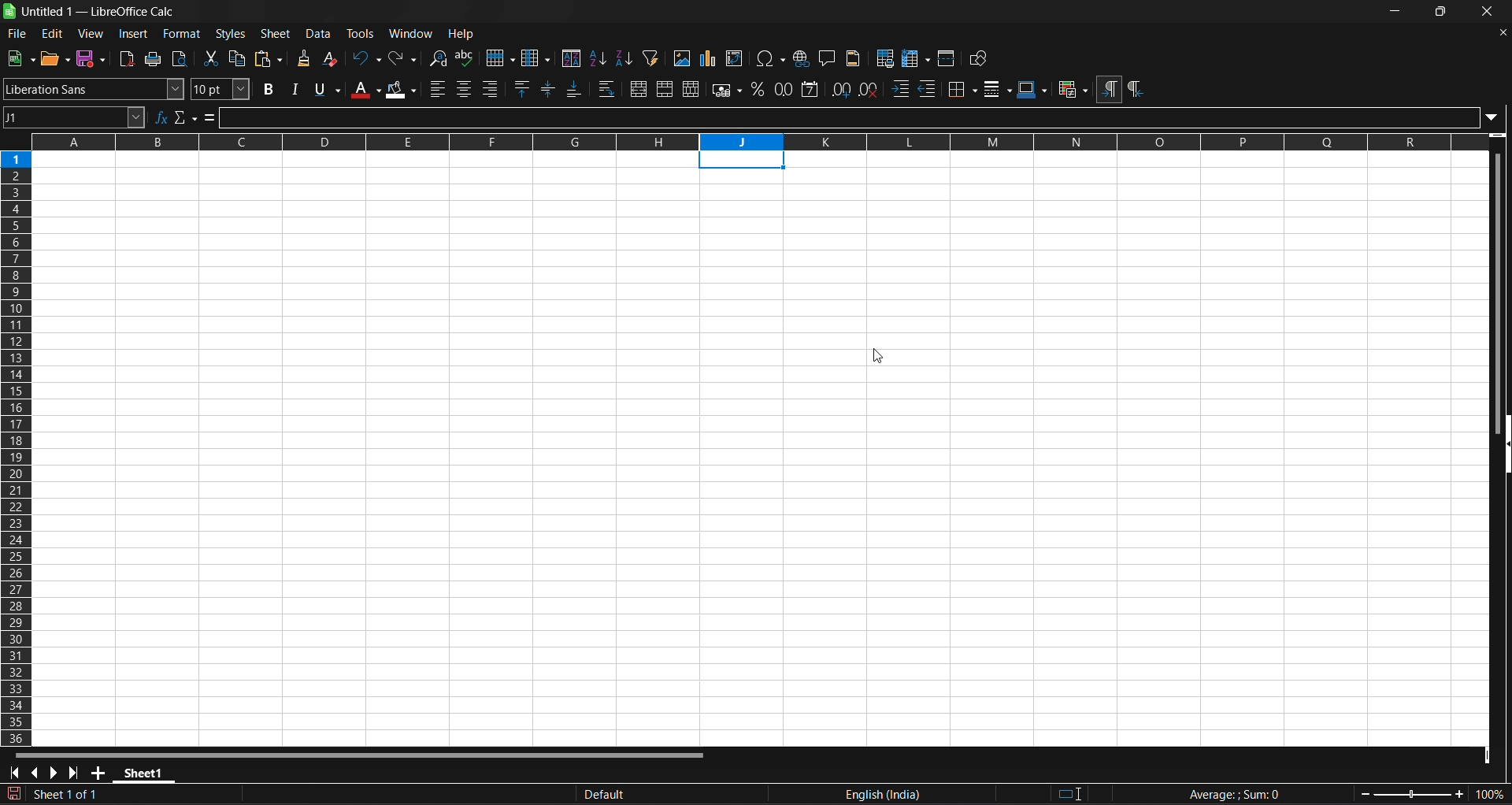  I want to click on format as percen, so click(762, 90).